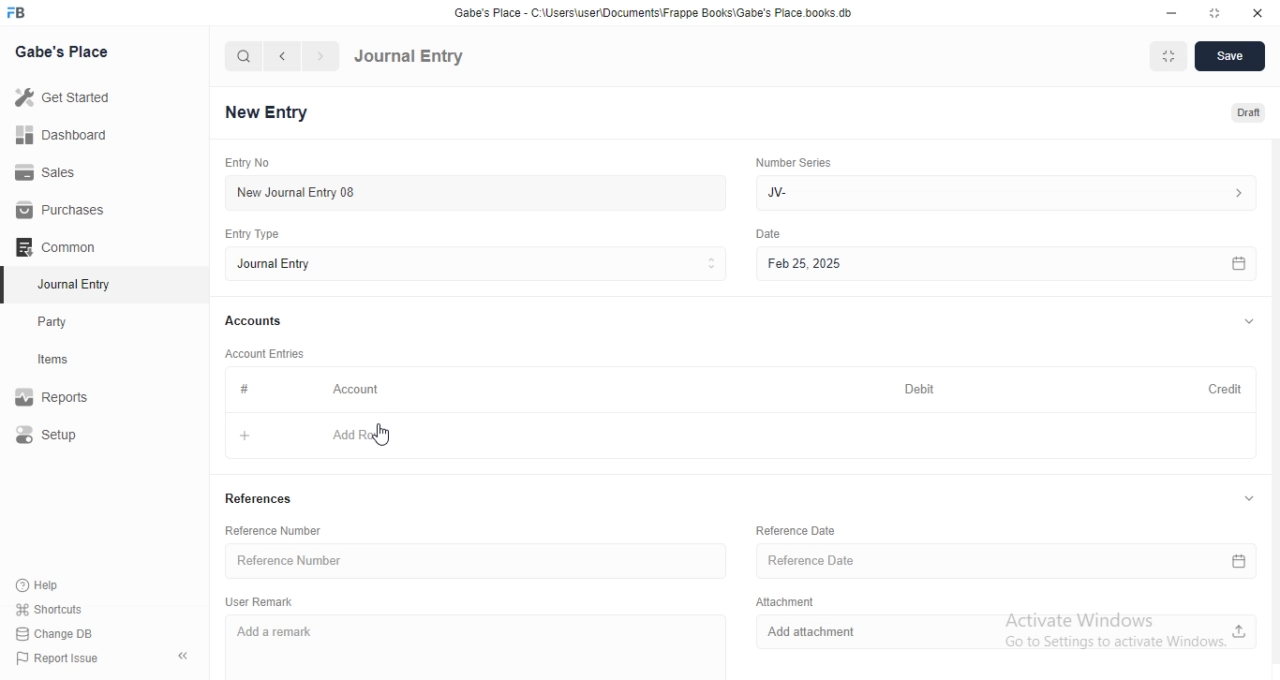 The width and height of the screenshot is (1280, 680). I want to click on Draft, so click(1238, 111).